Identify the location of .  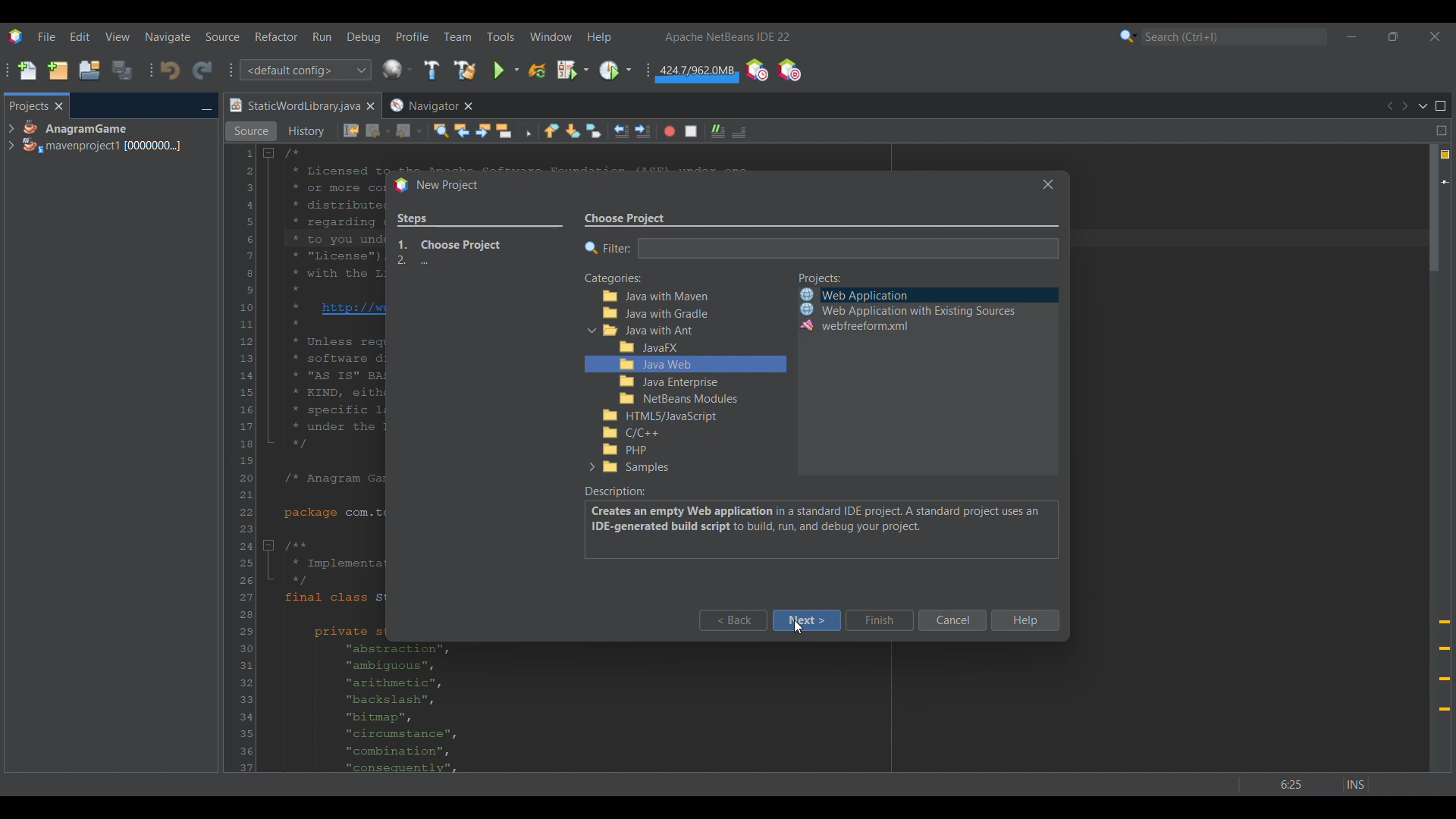
(795, 629).